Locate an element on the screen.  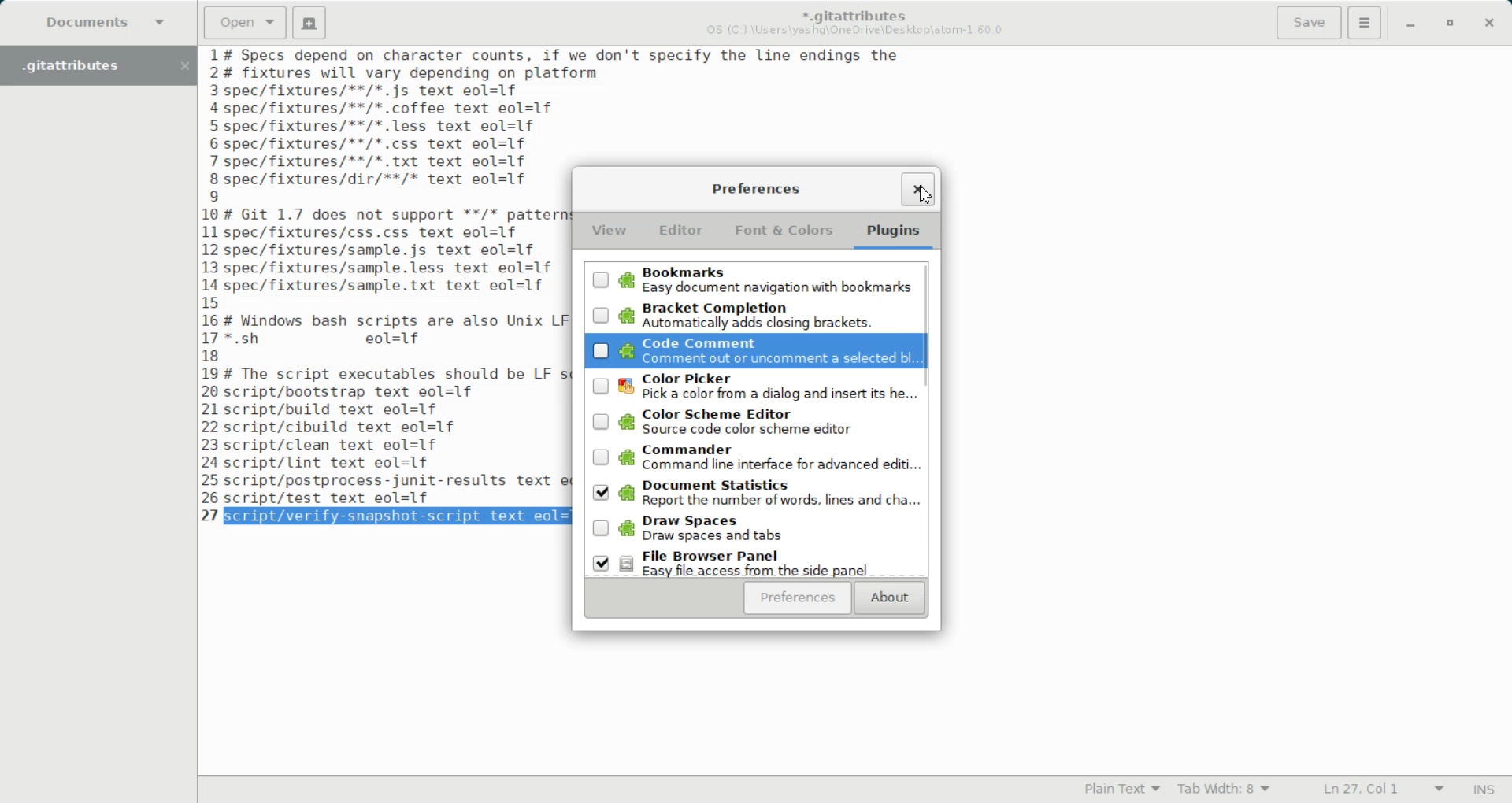
Close is located at coordinates (917, 187).